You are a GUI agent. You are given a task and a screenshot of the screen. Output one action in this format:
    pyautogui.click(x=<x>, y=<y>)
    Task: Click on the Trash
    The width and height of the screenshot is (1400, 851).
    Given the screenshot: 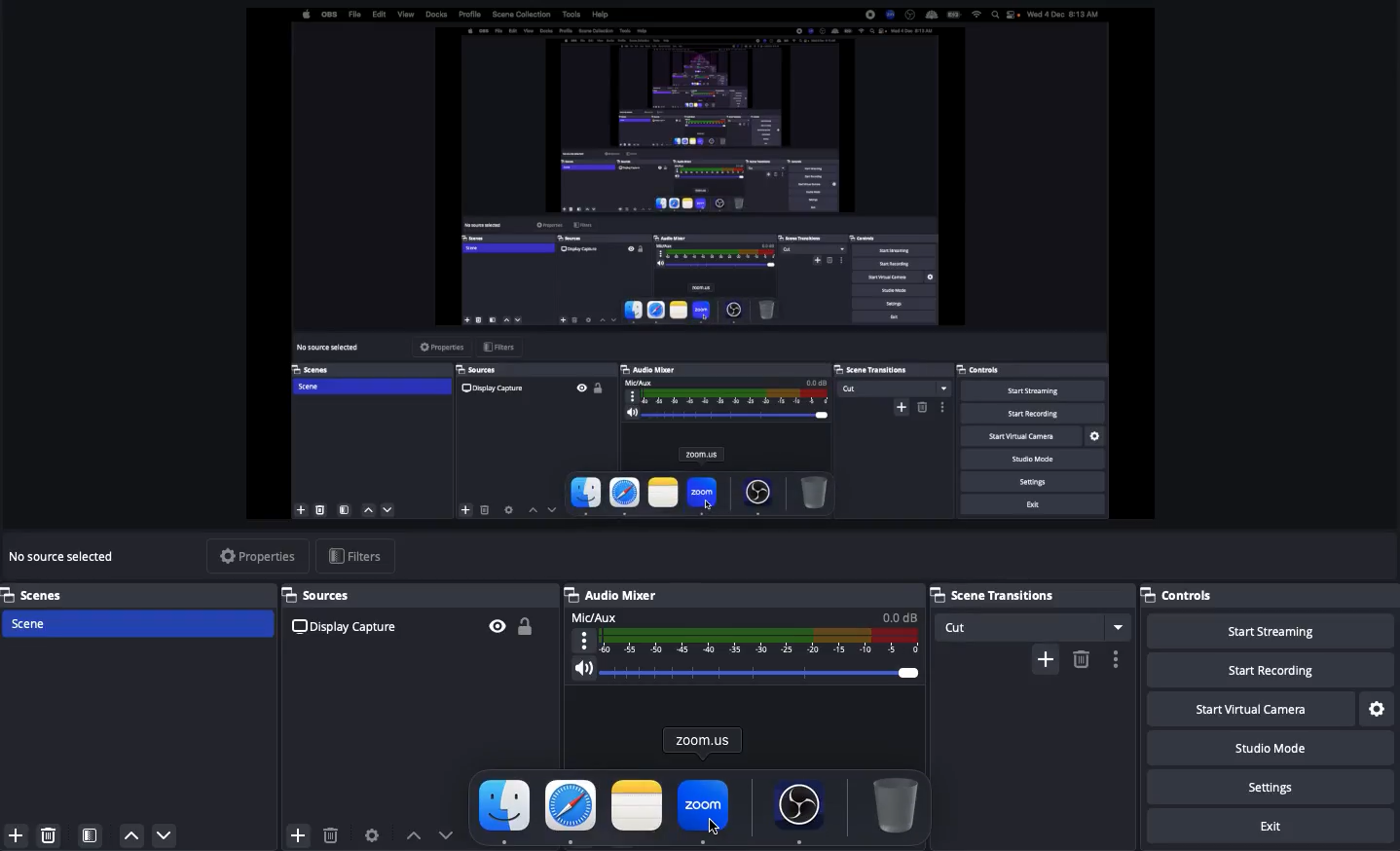 What is the action you would take?
    pyautogui.click(x=895, y=803)
    